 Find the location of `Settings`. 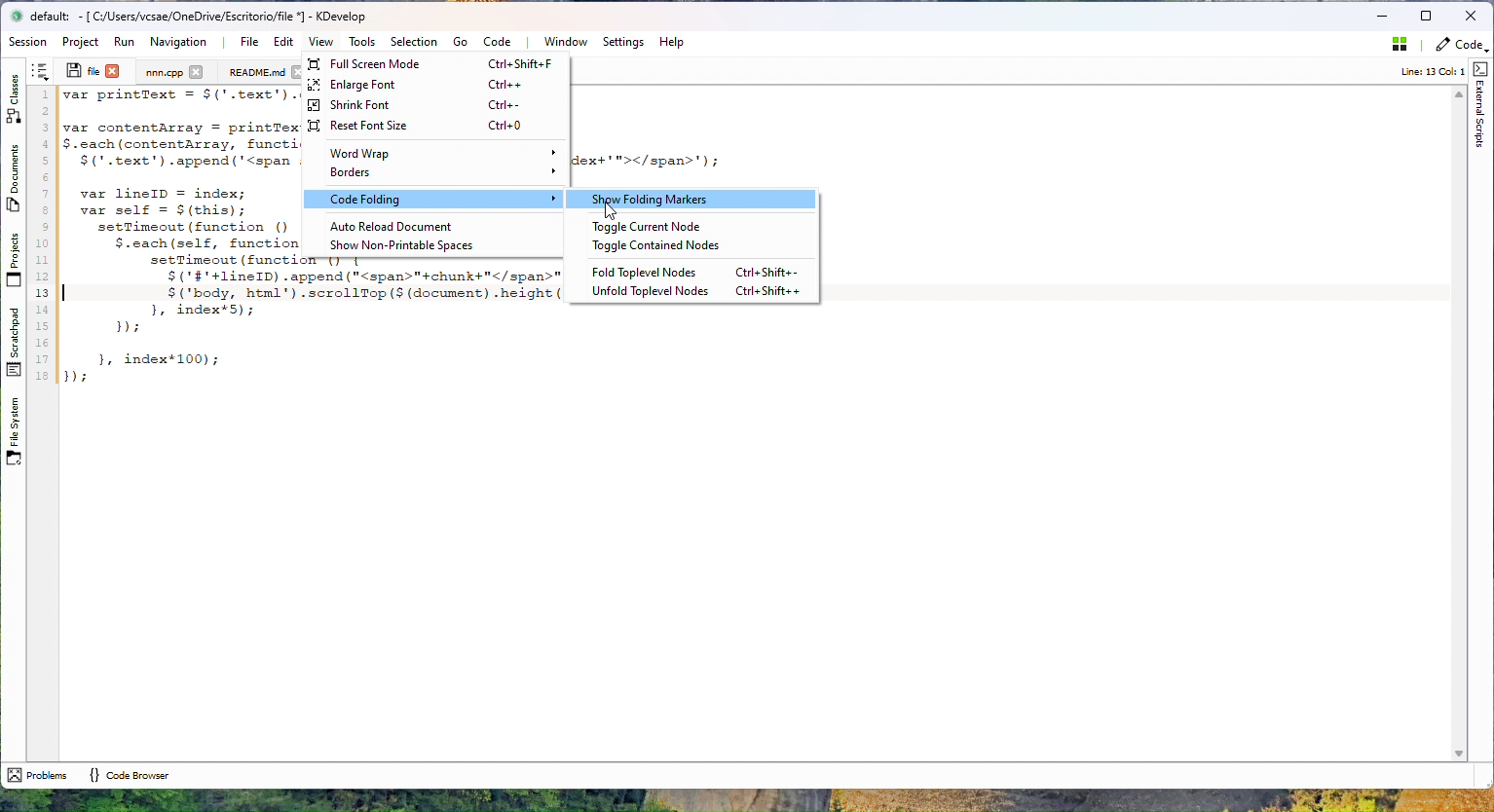

Settings is located at coordinates (622, 42).